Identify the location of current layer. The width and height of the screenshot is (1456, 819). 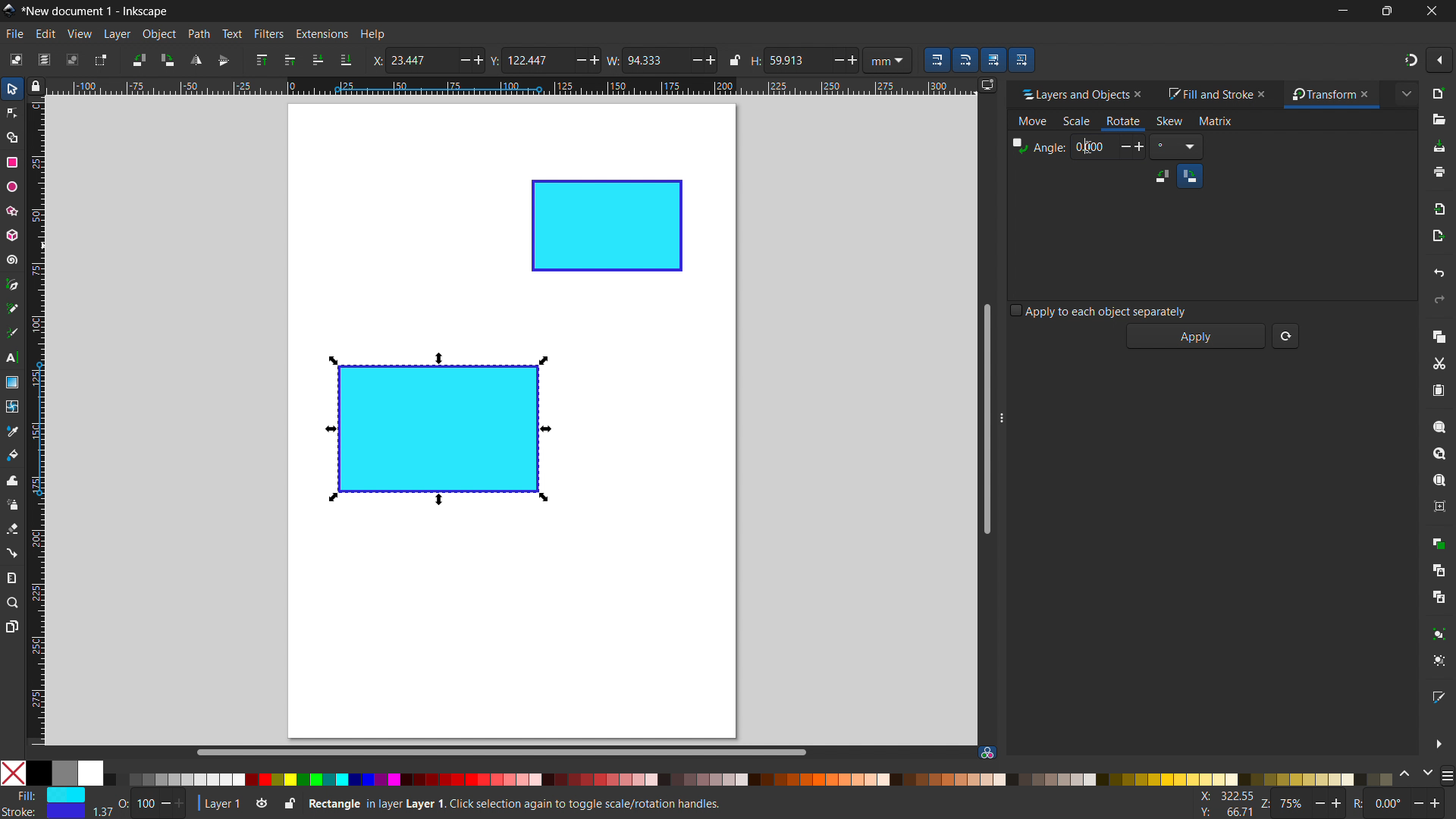
(218, 804).